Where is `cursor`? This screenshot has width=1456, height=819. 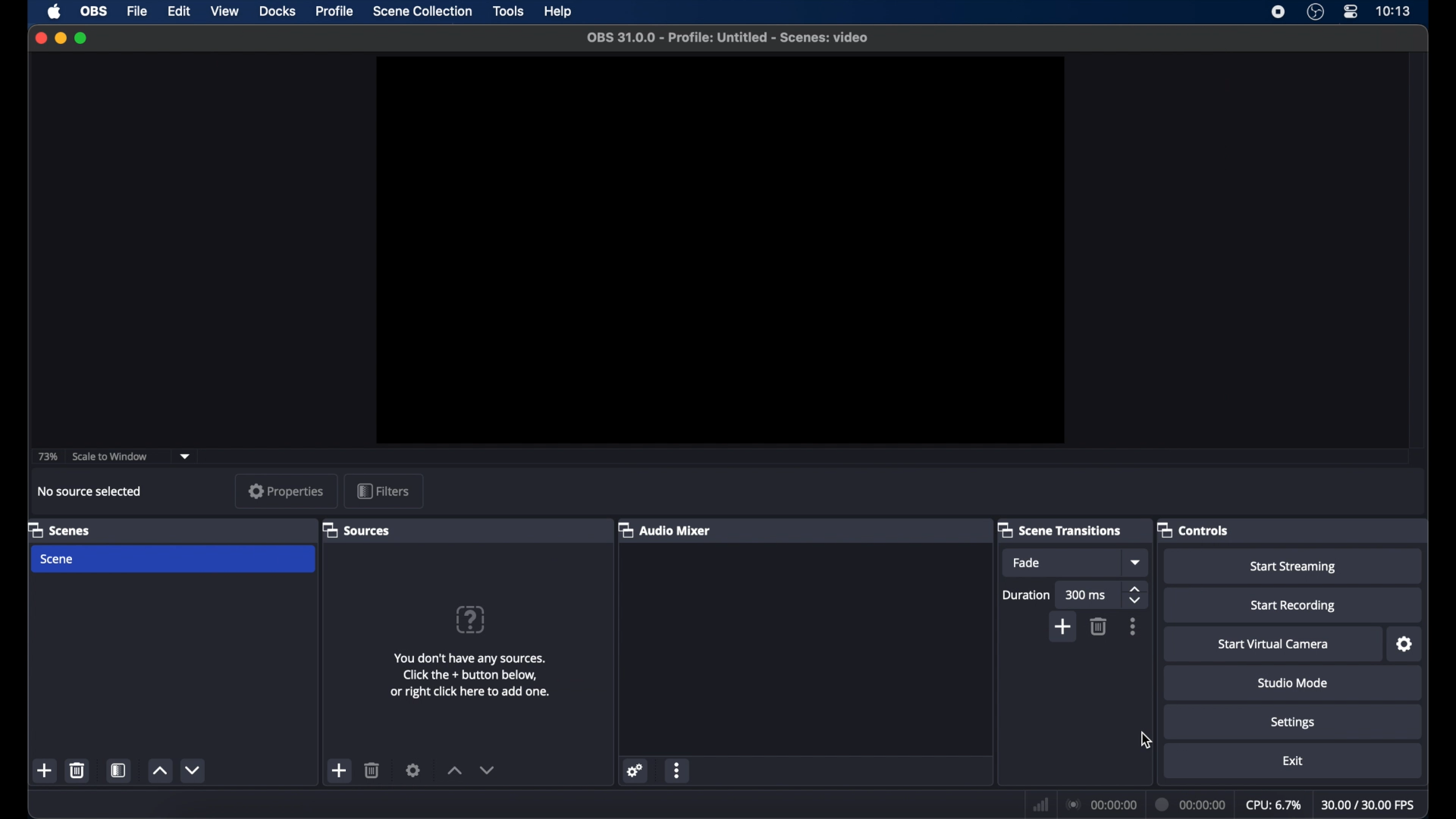 cursor is located at coordinates (1146, 739).